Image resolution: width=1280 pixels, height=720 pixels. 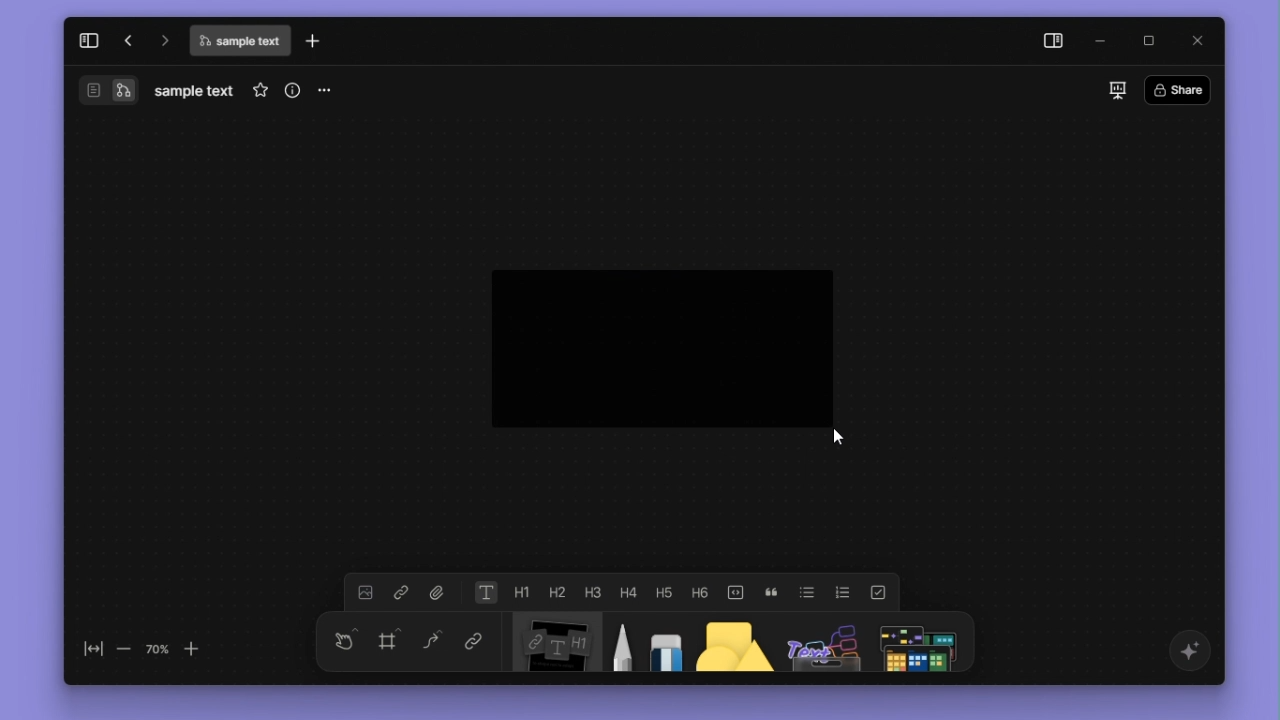 I want to click on heading 5, so click(x=664, y=591).